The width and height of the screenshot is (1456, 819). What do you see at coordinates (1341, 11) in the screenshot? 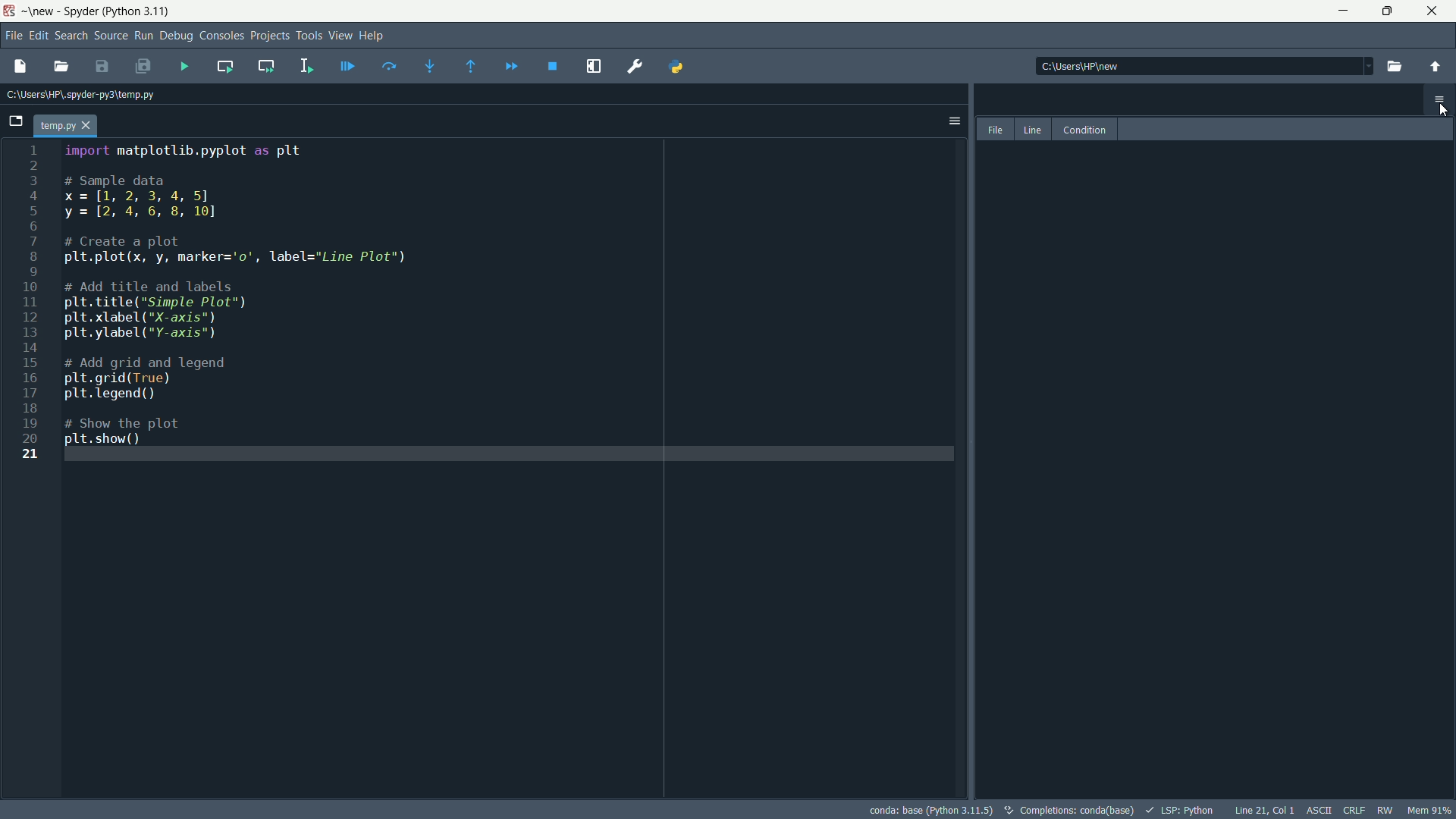
I see `minimize app` at bounding box center [1341, 11].